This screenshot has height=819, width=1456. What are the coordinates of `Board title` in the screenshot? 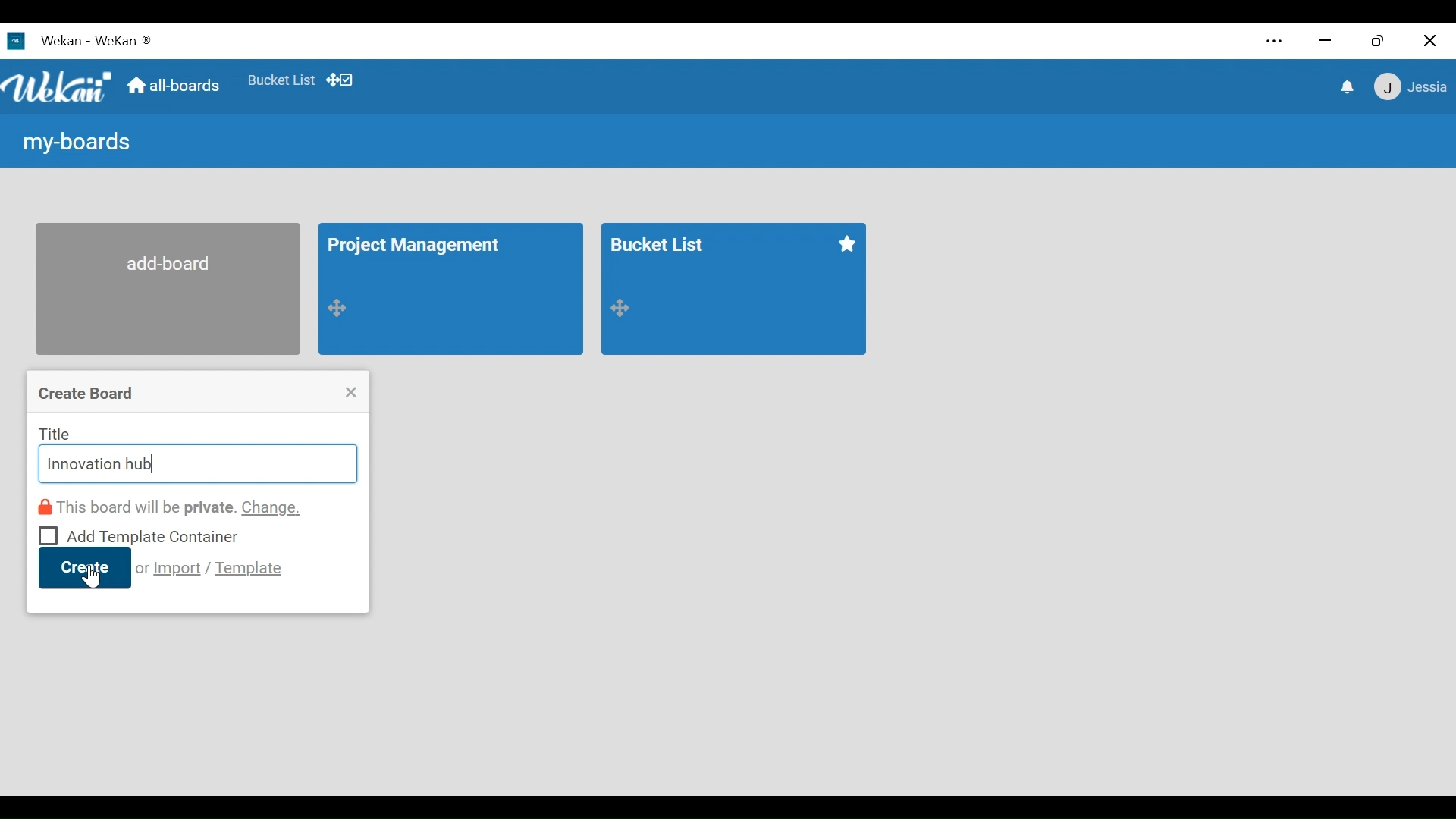 It's located at (420, 247).